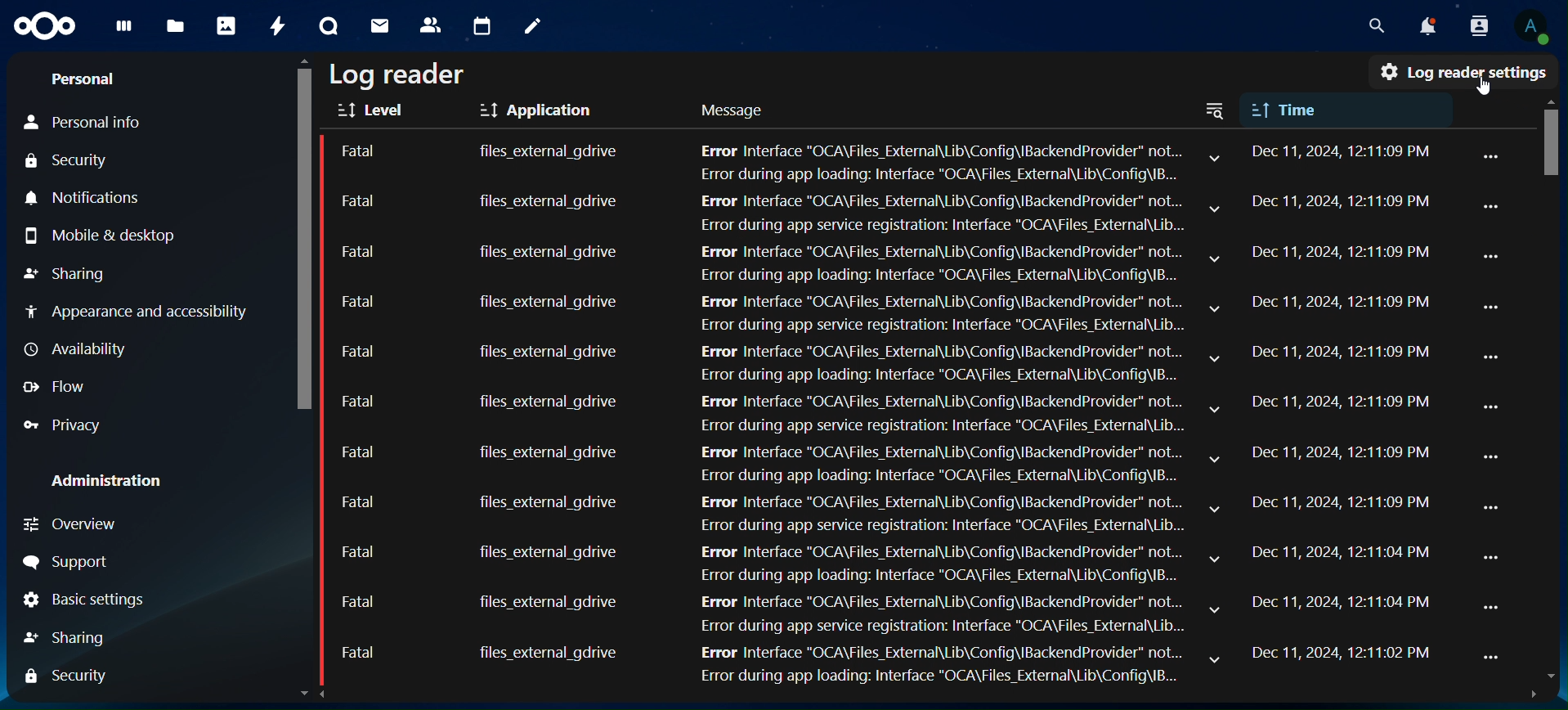 This screenshot has height=710, width=1568. What do you see at coordinates (1494, 255) in the screenshot?
I see `...` at bounding box center [1494, 255].